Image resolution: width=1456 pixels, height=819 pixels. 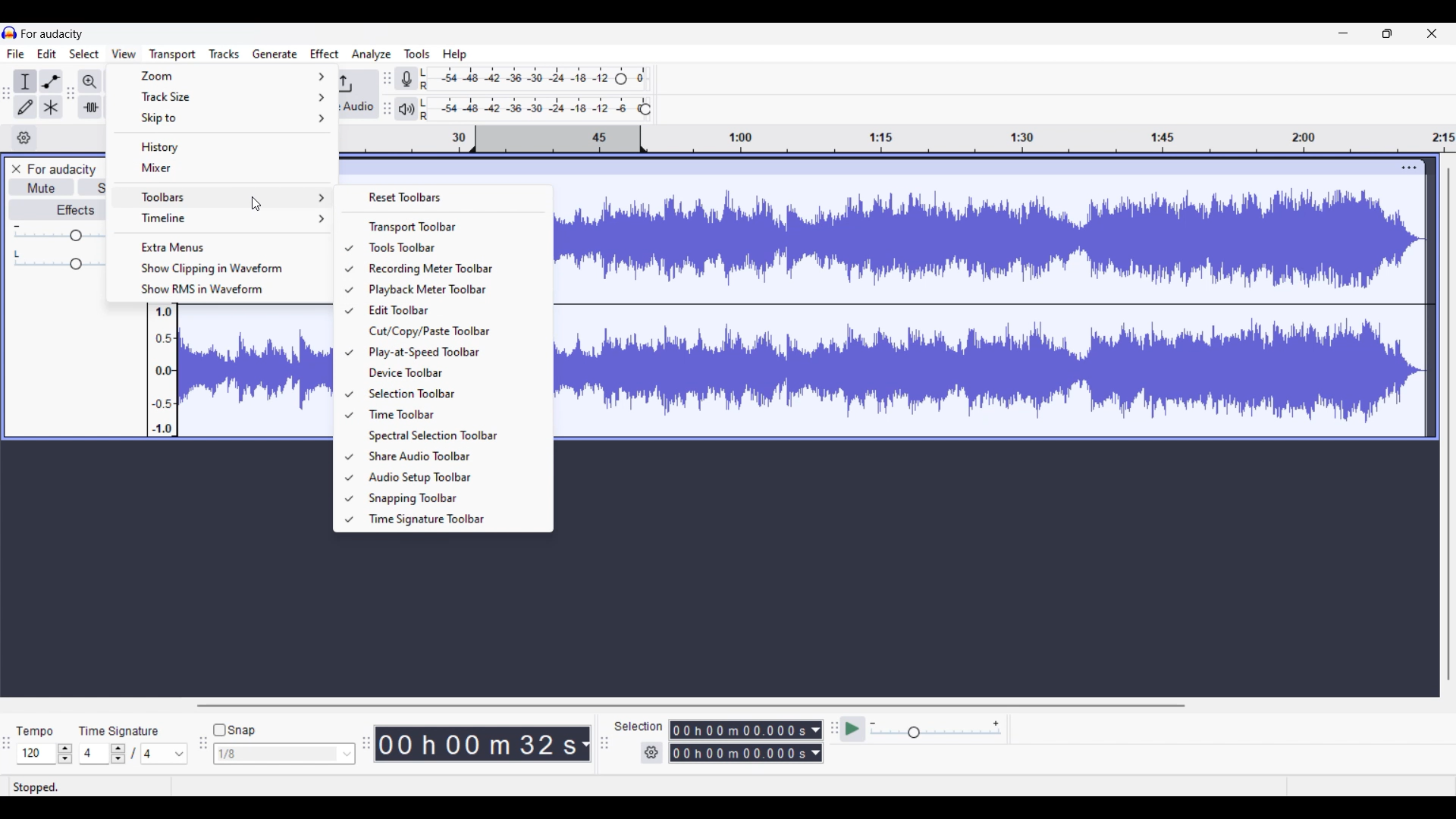 I want to click on Current status of track, so click(x=36, y=786).